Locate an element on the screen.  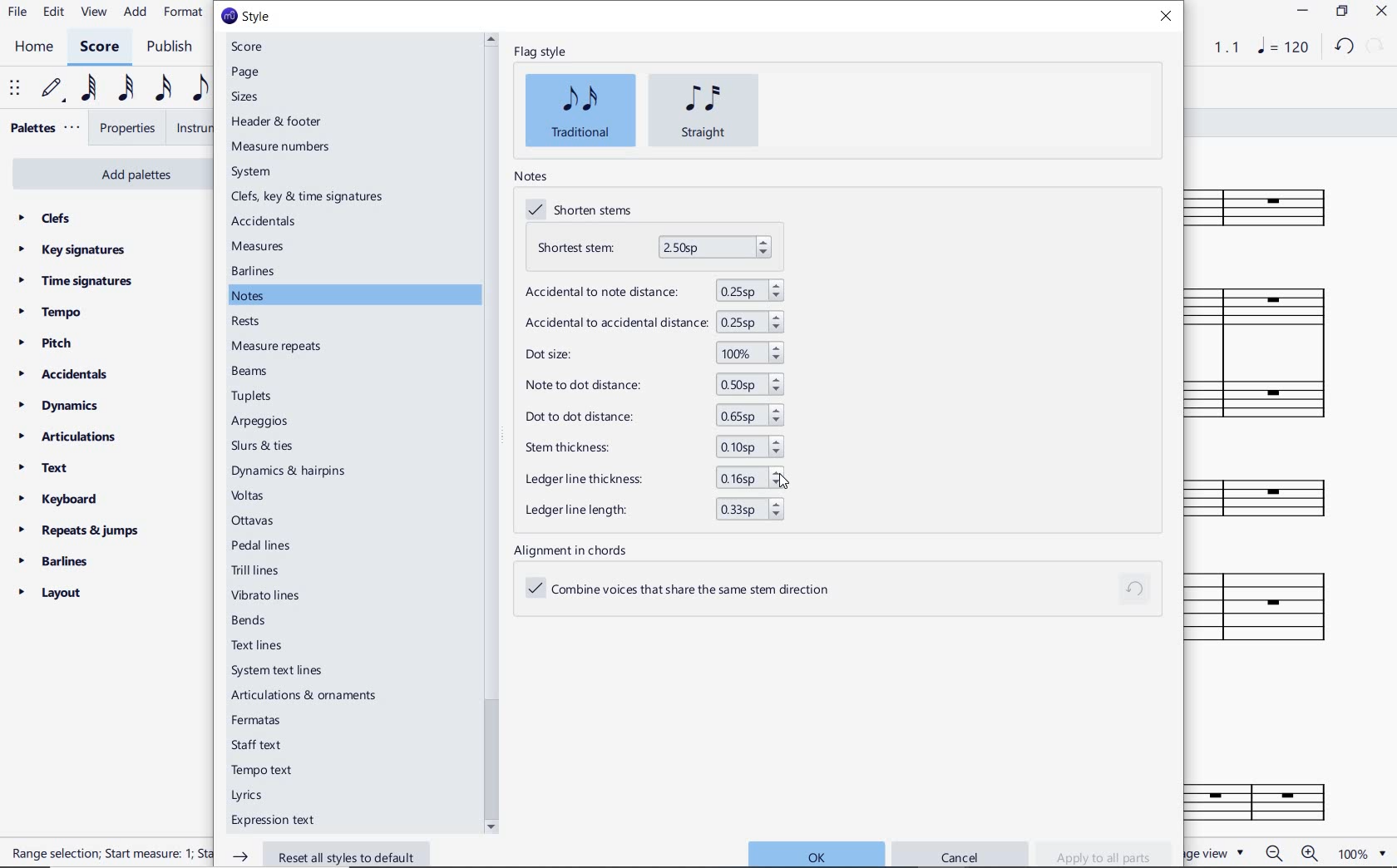
ledger line length is located at coordinates (649, 509).